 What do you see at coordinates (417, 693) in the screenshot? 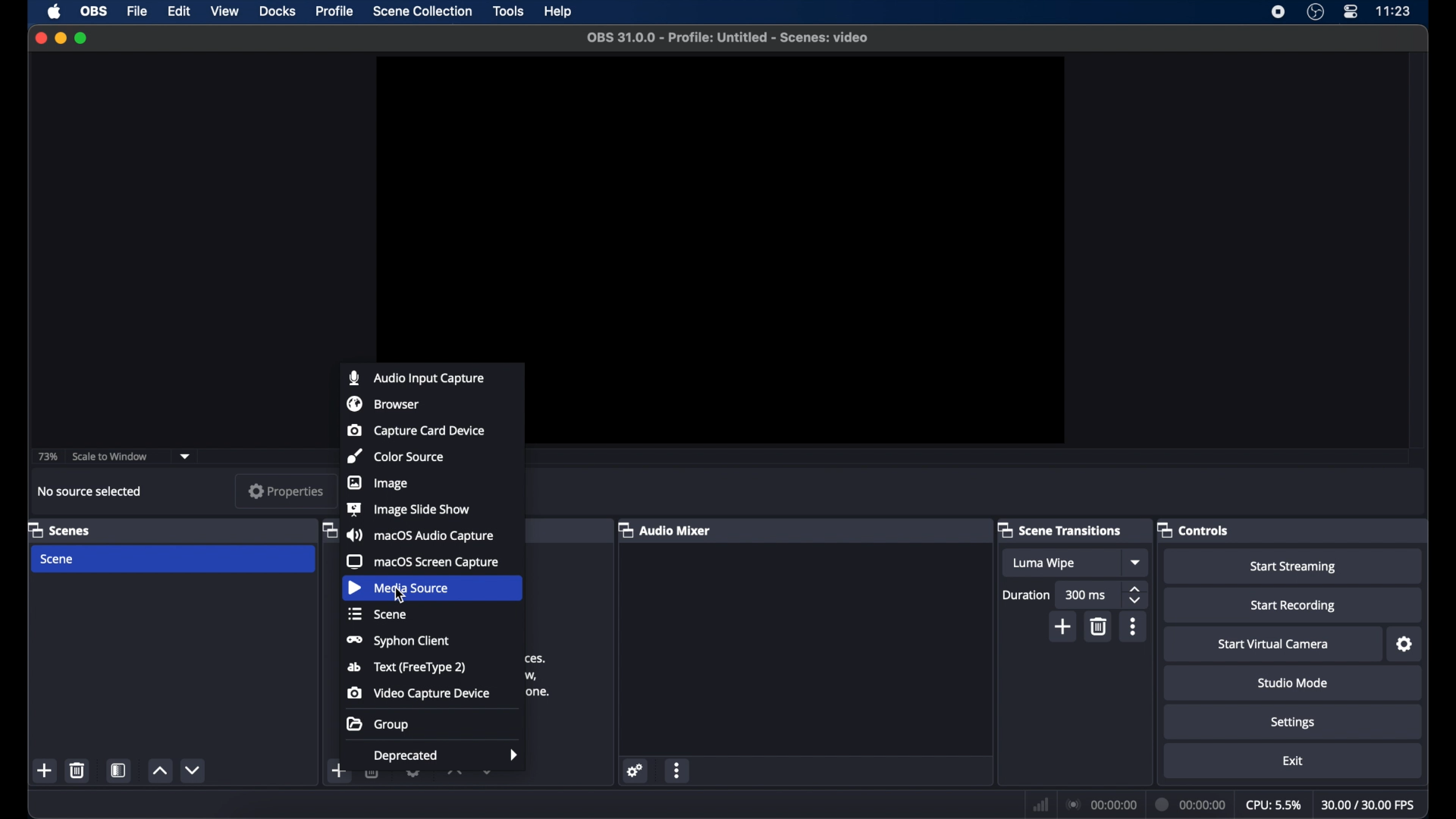
I see `video capture device` at bounding box center [417, 693].